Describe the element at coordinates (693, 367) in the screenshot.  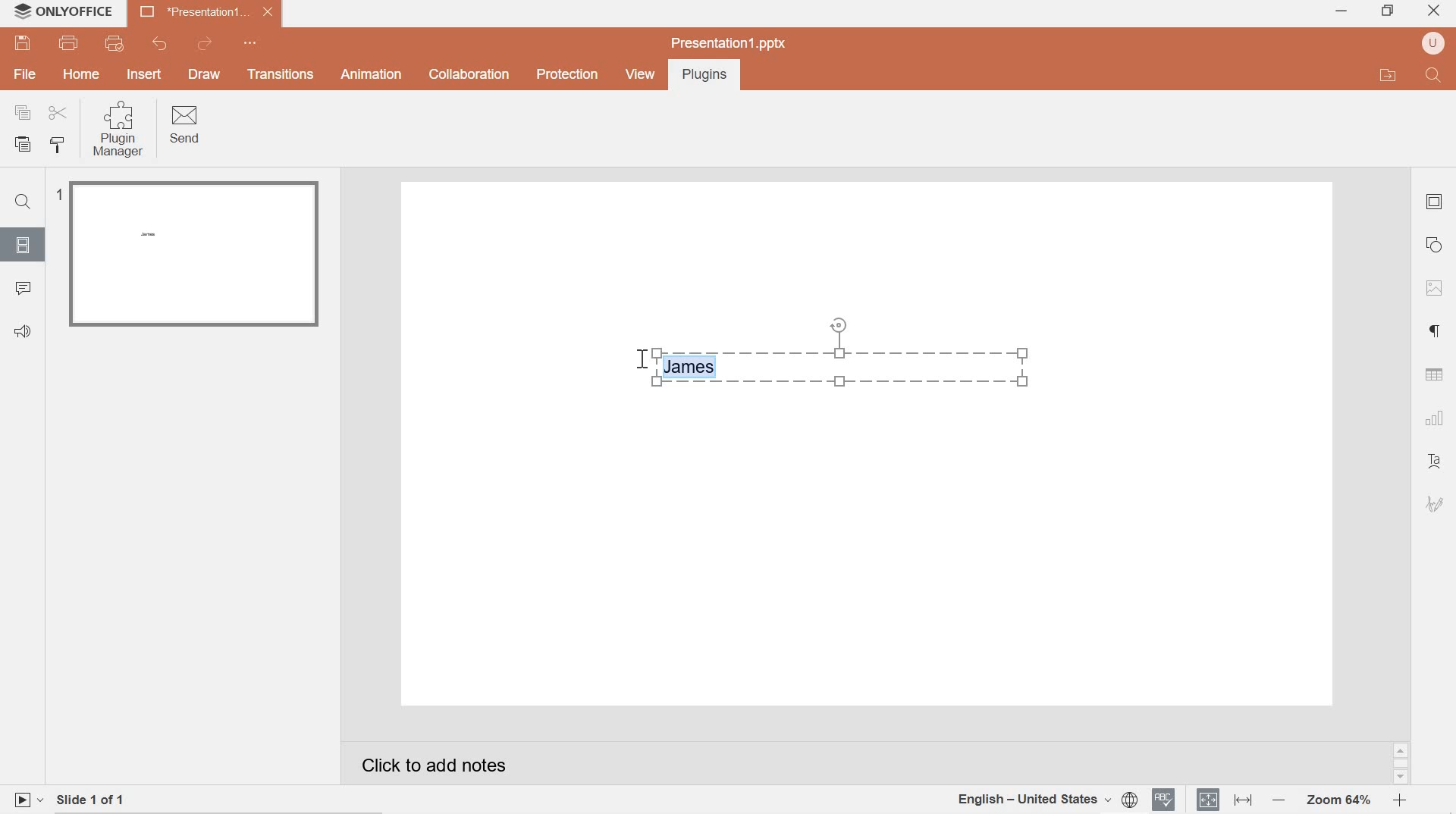
I see `highlighted text` at that location.